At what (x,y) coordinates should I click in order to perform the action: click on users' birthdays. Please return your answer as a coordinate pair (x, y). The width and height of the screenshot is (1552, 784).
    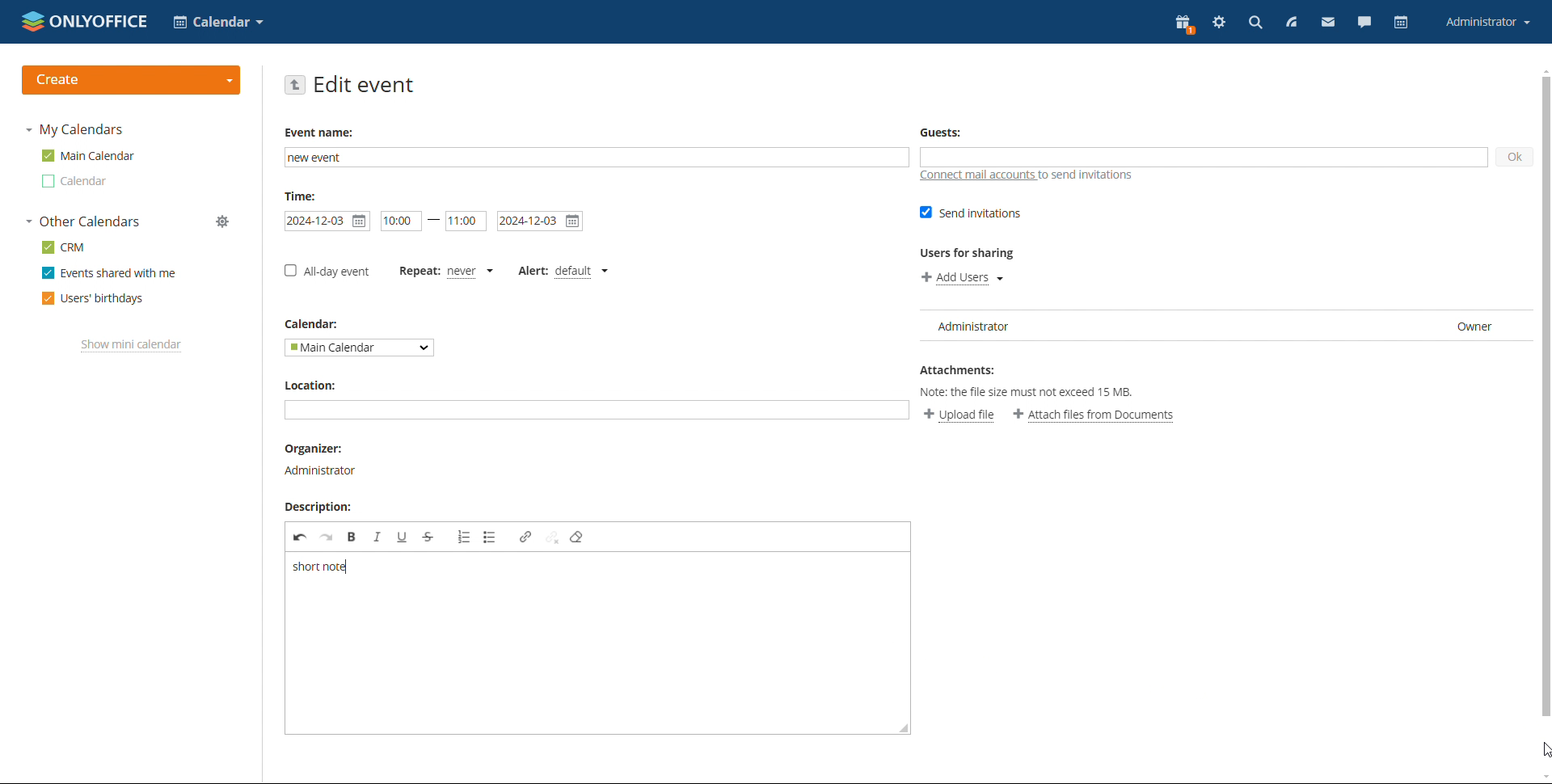
    Looking at the image, I should click on (93, 299).